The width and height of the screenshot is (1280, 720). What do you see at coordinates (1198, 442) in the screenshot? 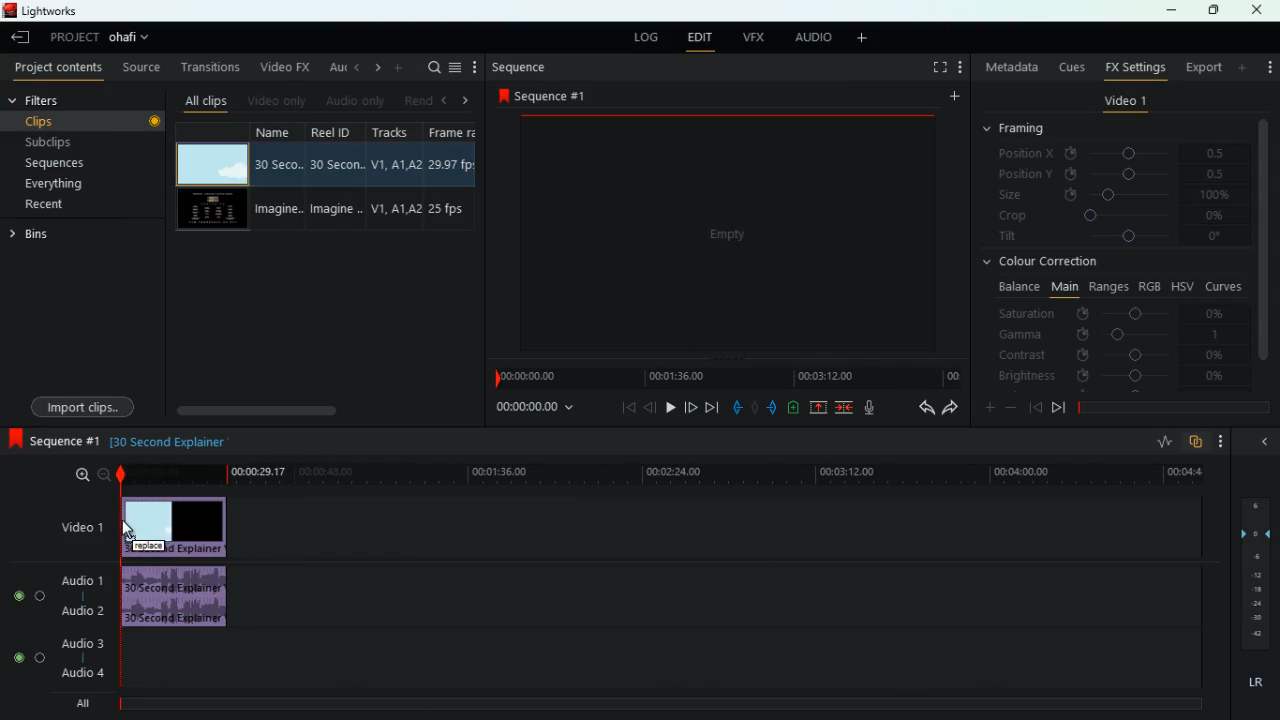
I see `overlap` at bounding box center [1198, 442].